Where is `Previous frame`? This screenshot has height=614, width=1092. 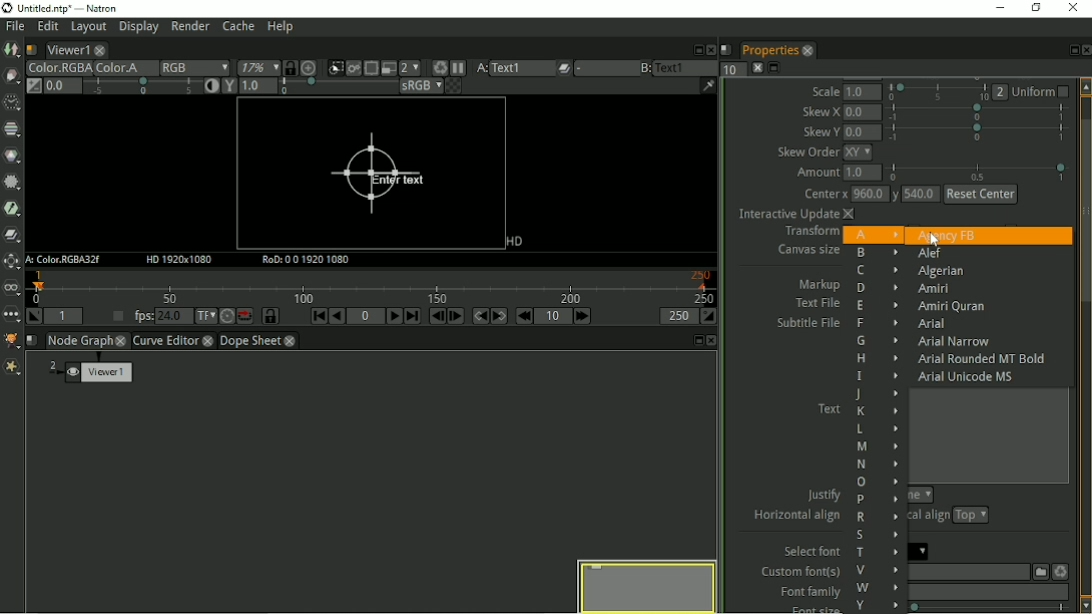
Previous frame is located at coordinates (435, 316).